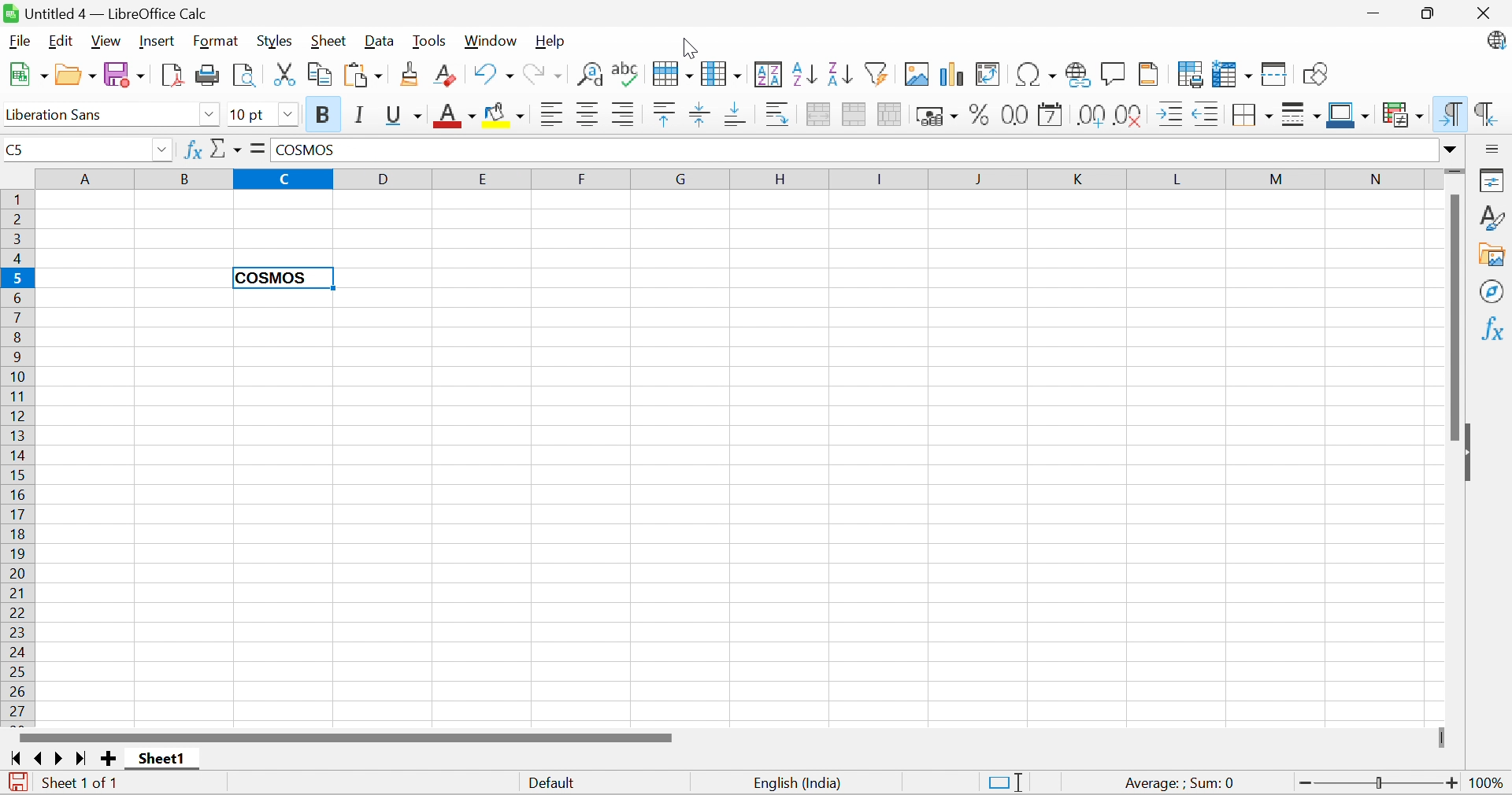 This screenshot has height=795, width=1512. I want to click on Freeze Rows and Columns, so click(1234, 72).